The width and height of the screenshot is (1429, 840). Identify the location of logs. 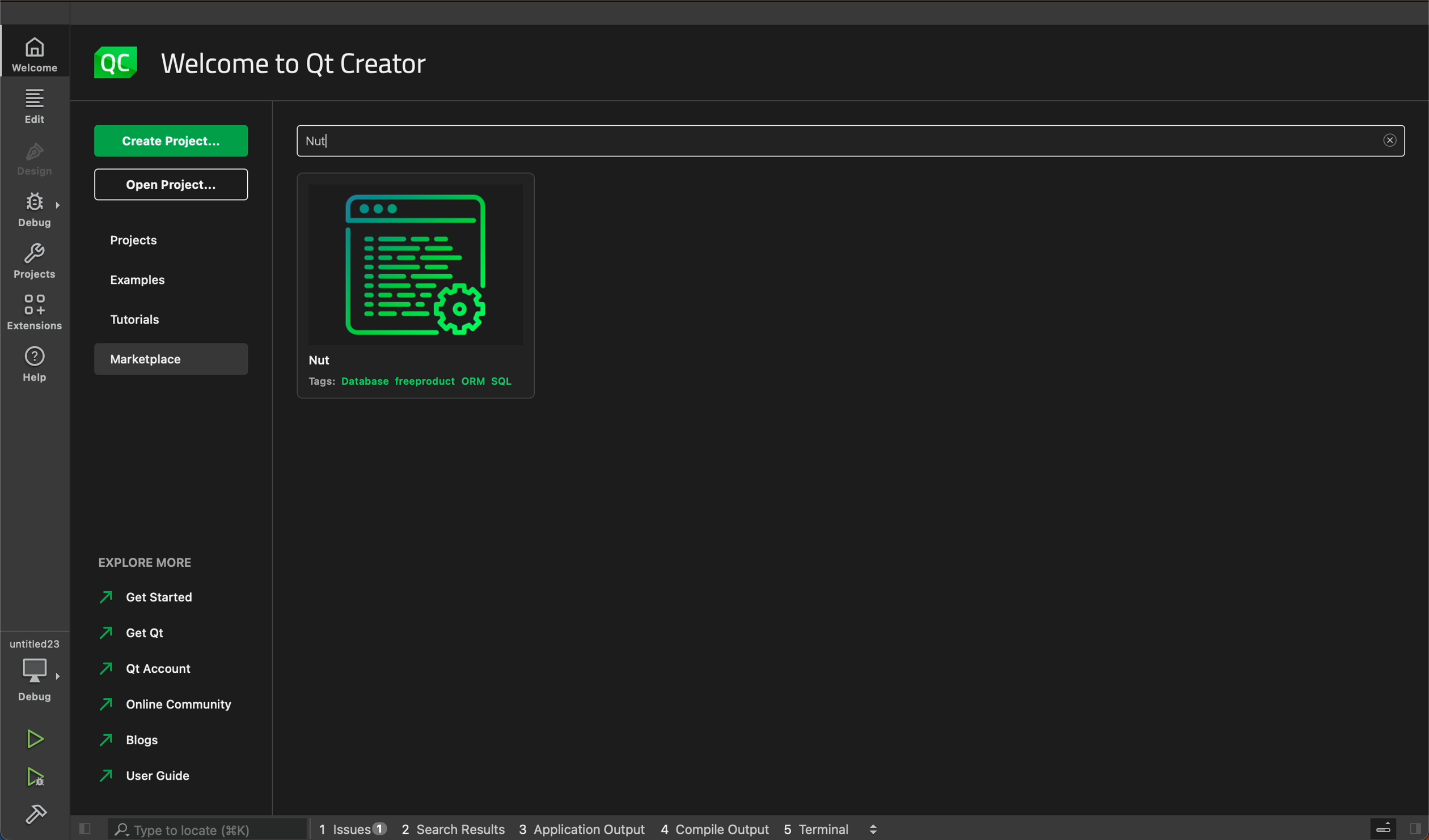
(615, 828).